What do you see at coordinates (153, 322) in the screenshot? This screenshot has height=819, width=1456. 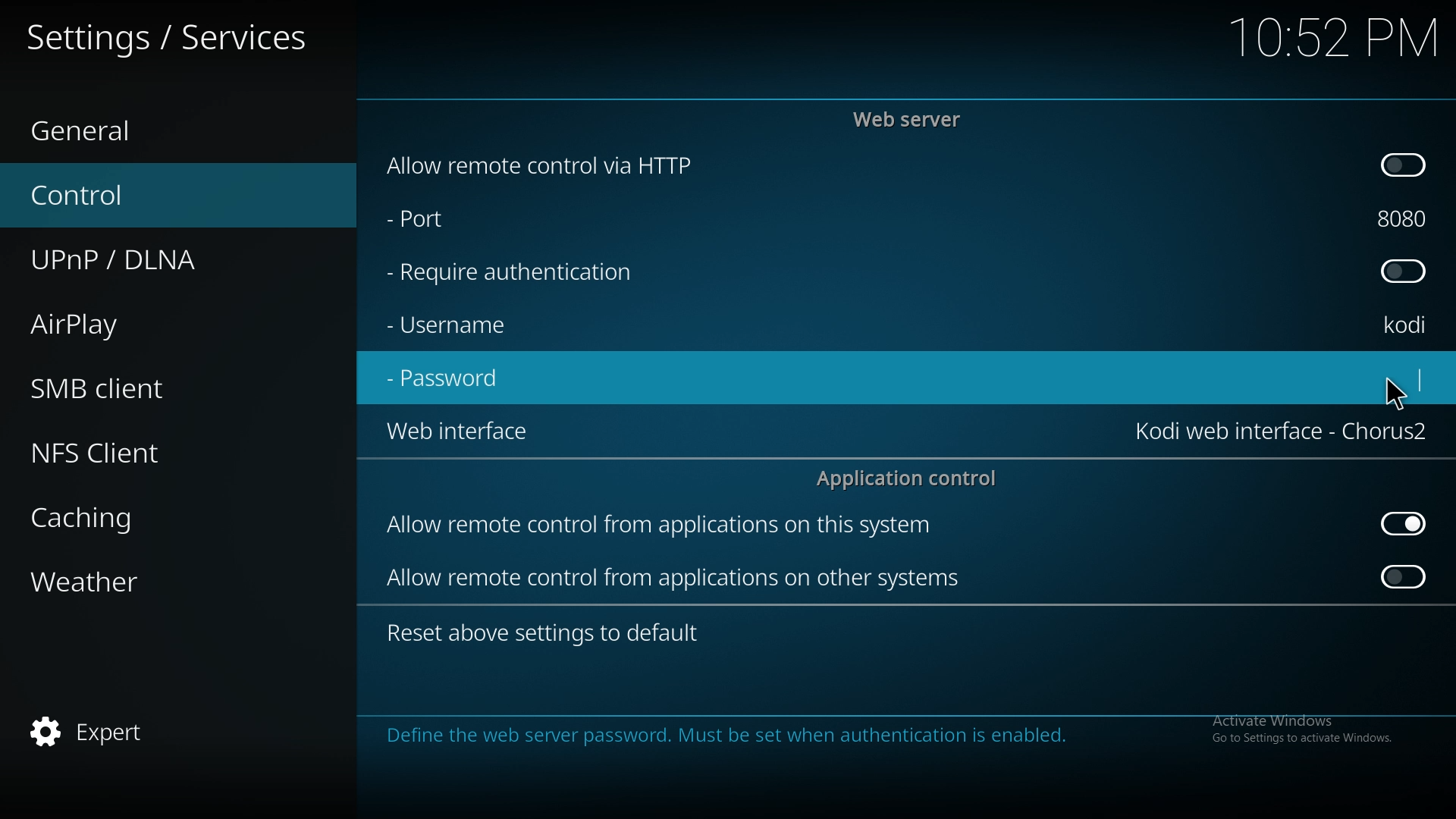 I see `airplay` at bounding box center [153, 322].